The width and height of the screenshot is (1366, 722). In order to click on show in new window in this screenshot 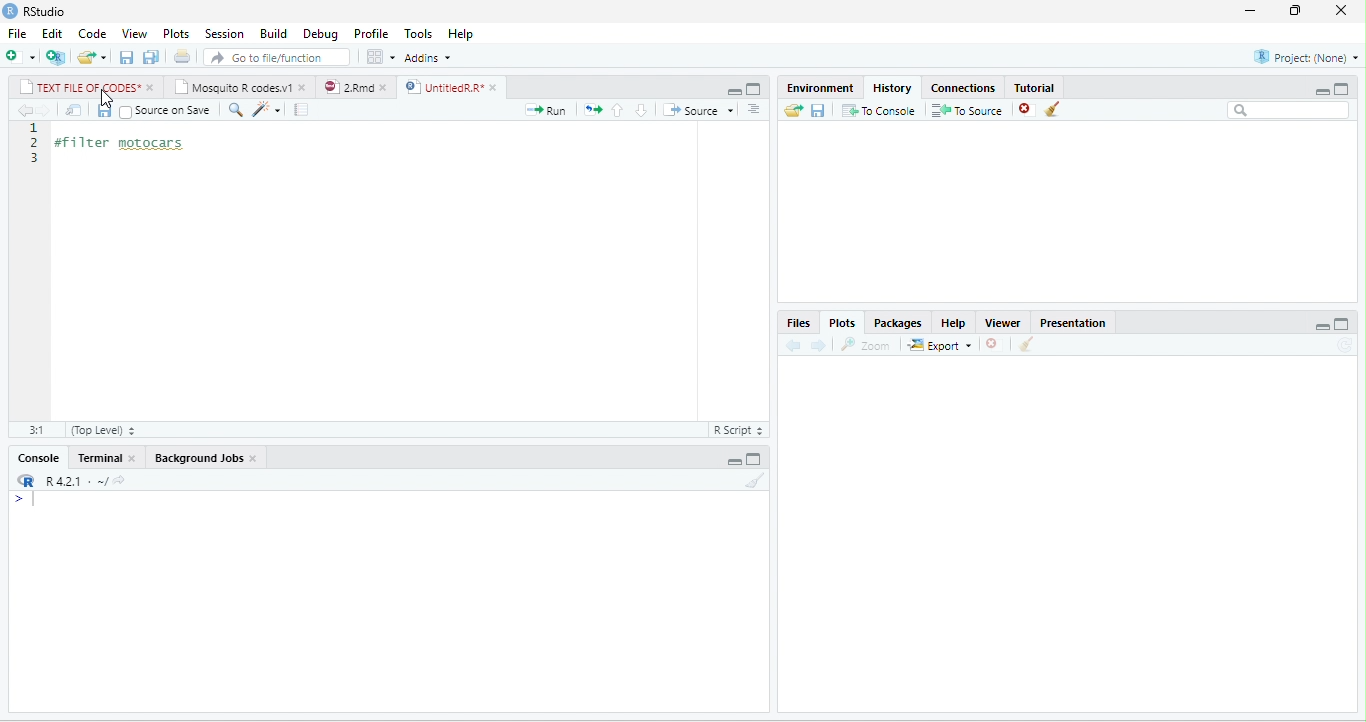, I will do `click(74, 110)`.